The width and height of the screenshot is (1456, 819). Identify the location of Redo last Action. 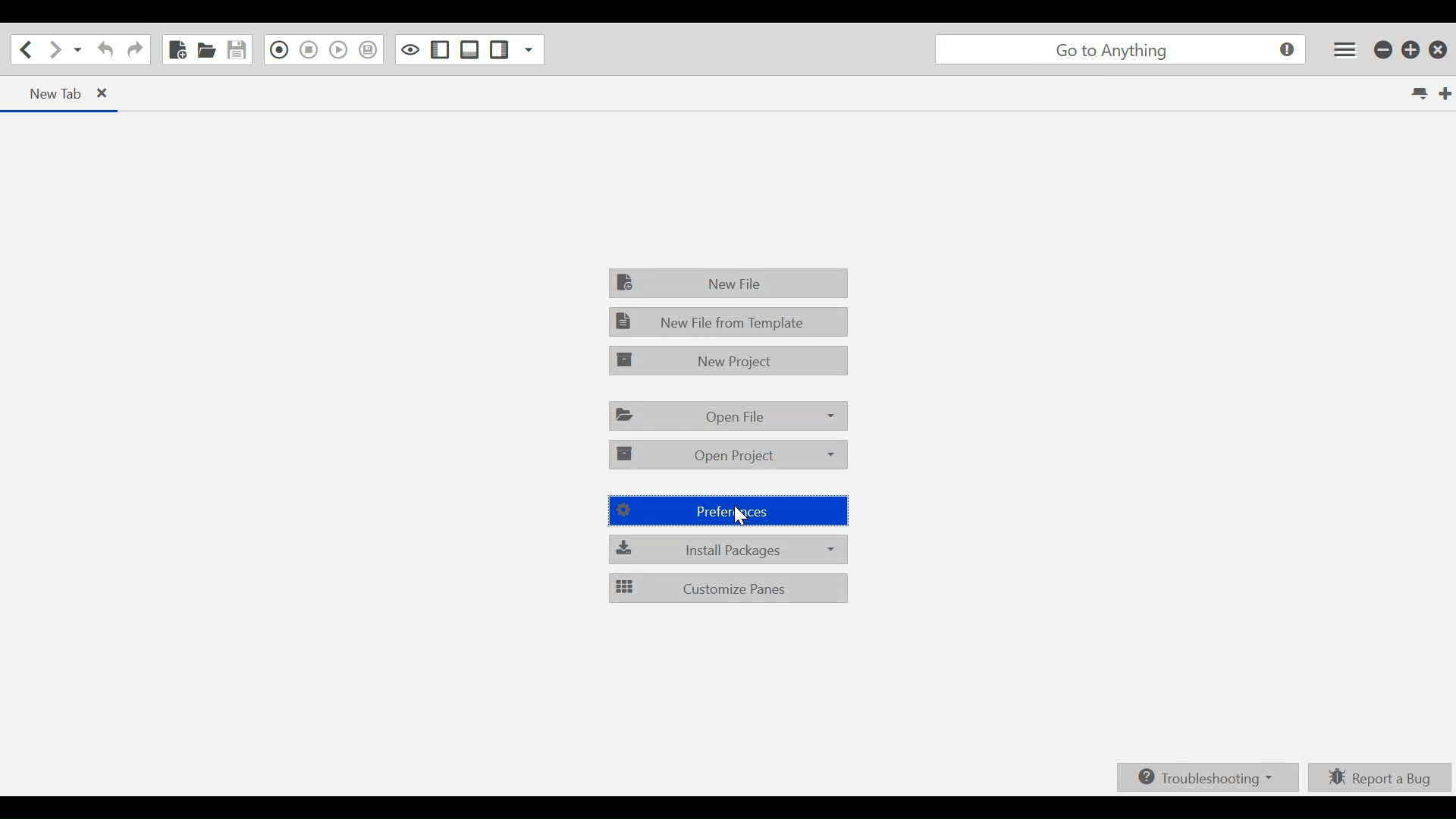
(134, 52).